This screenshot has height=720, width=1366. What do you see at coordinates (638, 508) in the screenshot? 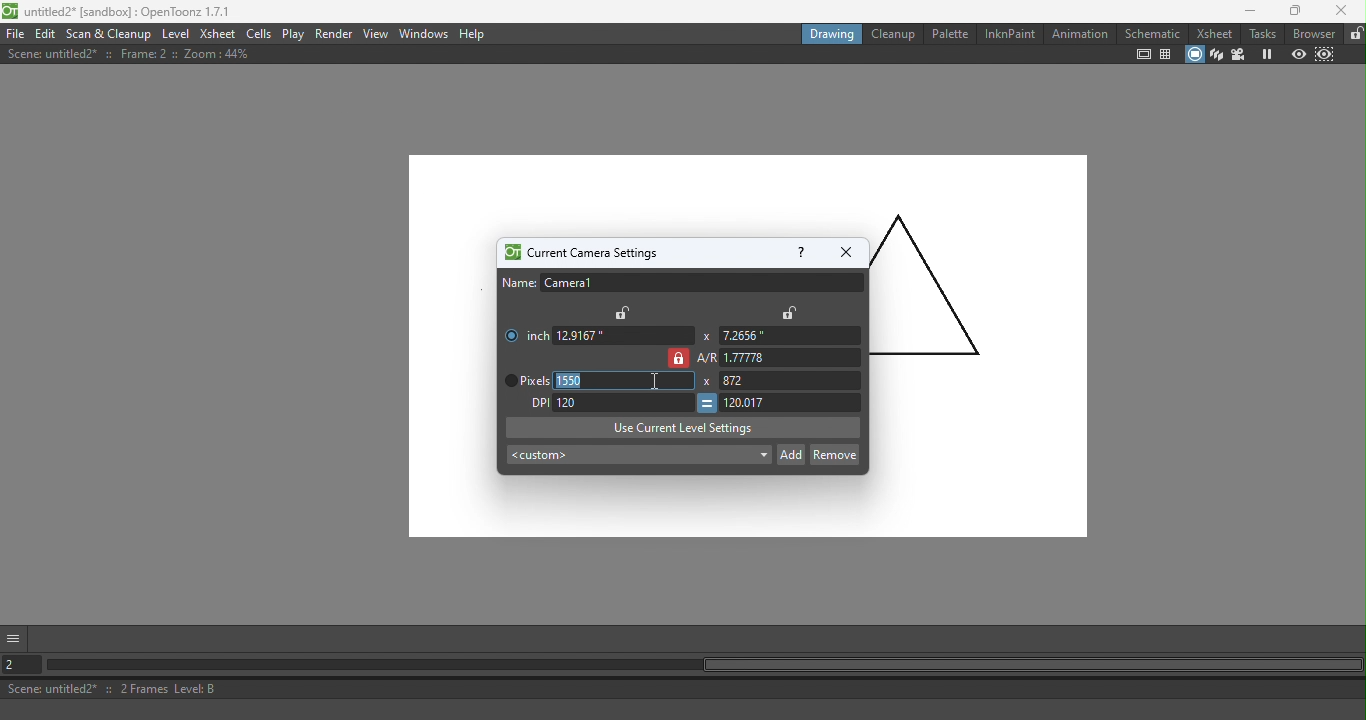
I see `canvas` at bounding box center [638, 508].